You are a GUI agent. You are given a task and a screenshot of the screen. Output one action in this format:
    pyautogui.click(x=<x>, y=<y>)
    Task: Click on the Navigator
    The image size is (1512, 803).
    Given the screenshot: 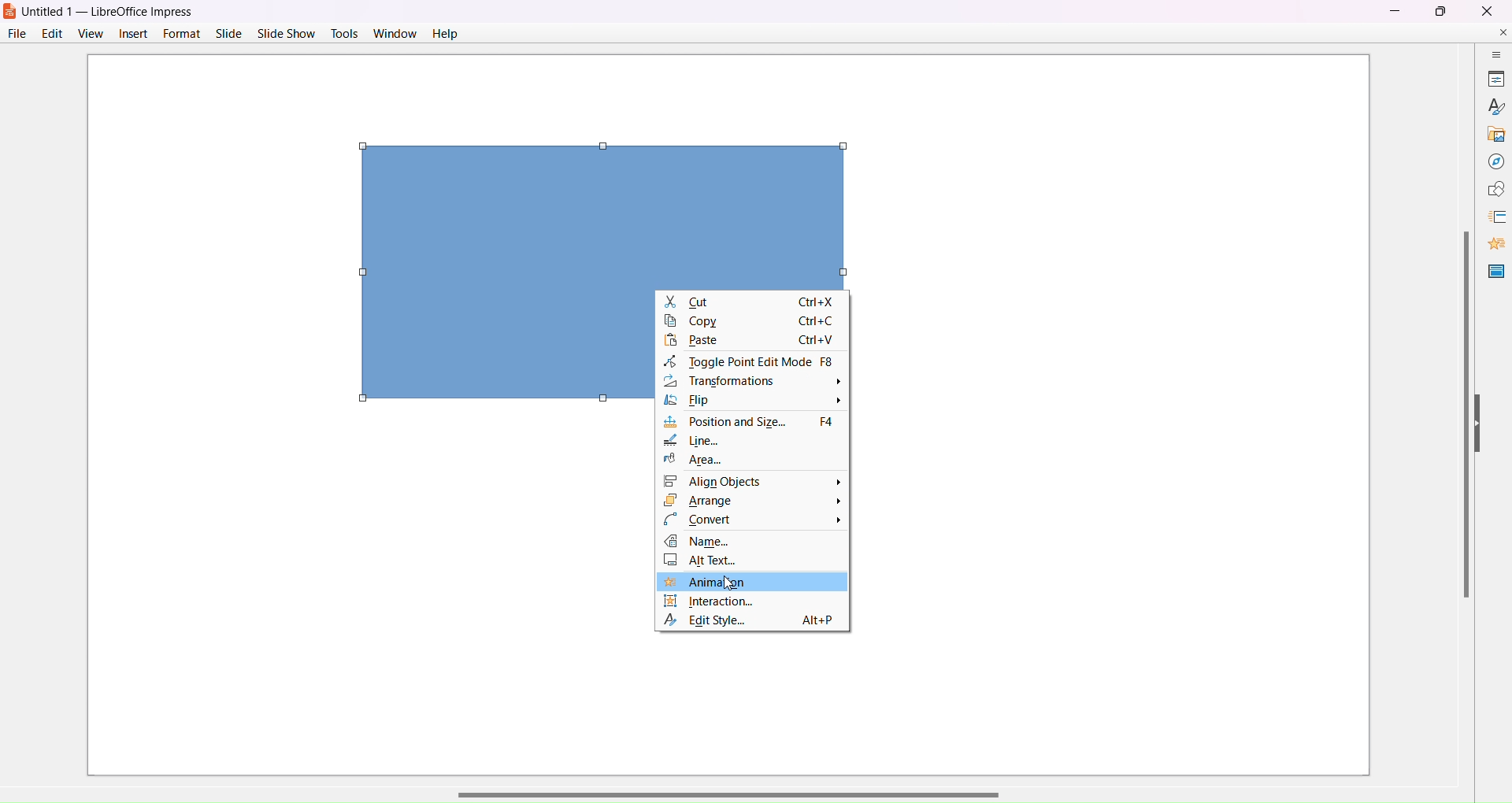 What is the action you would take?
    pyautogui.click(x=1489, y=159)
    